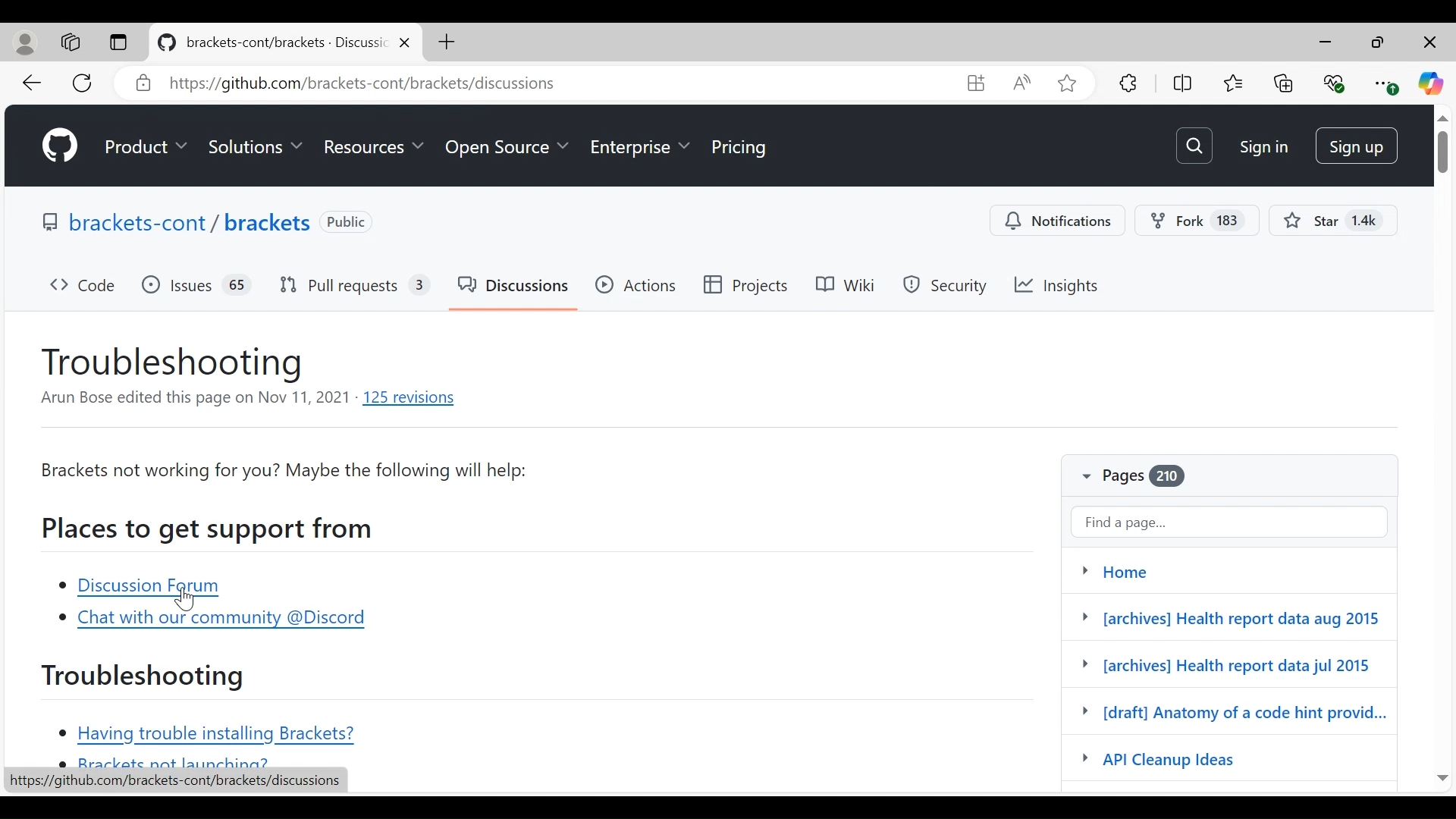 Image resolution: width=1456 pixels, height=819 pixels. I want to click on Brackets not launching?, so click(169, 763).